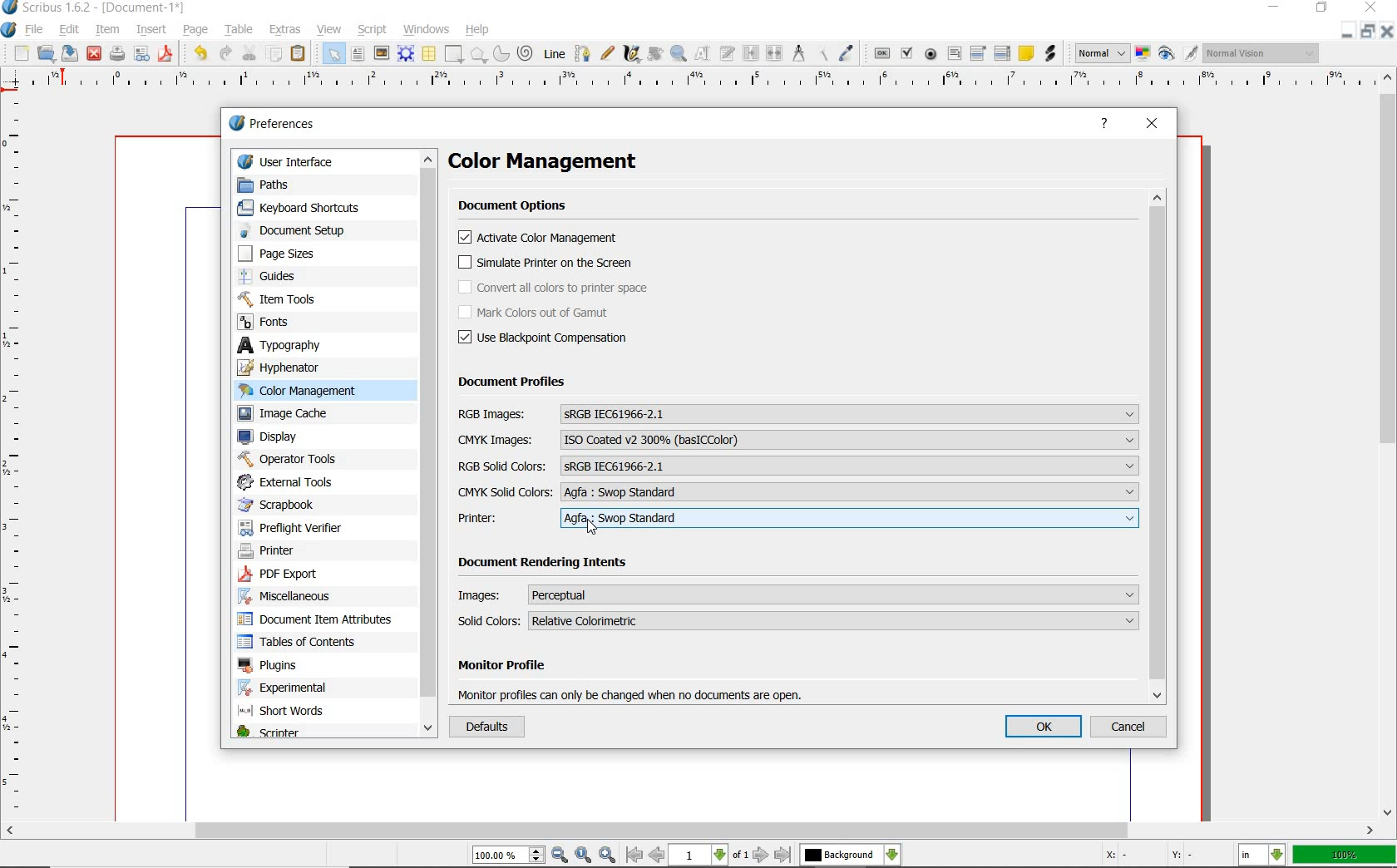 This screenshot has height=868, width=1397. What do you see at coordinates (555, 53) in the screenshot?
I see `line` at bounding box center [555, 53].